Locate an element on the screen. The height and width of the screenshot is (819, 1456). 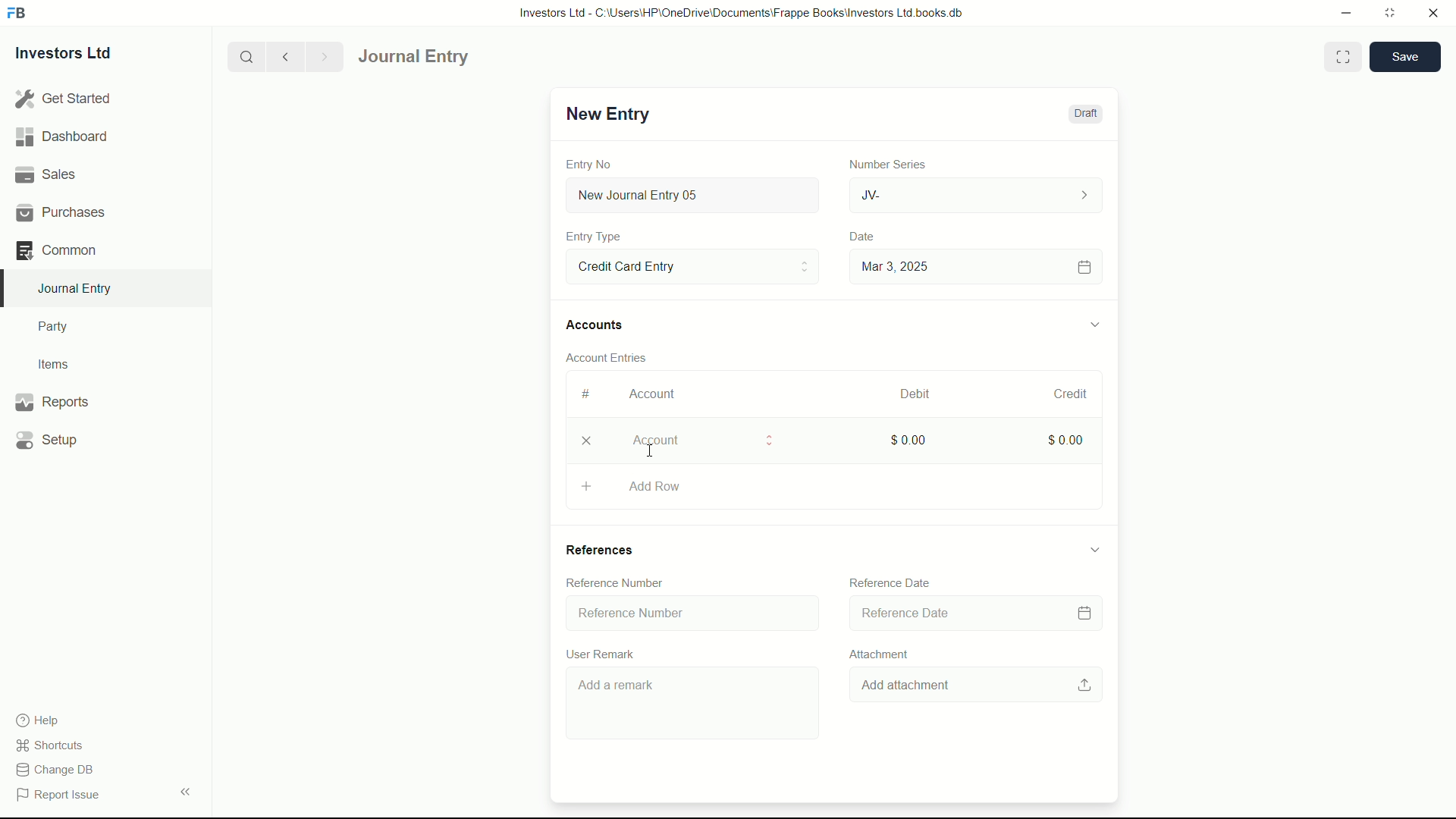
Aad Row is located at coordinates (833, 488).